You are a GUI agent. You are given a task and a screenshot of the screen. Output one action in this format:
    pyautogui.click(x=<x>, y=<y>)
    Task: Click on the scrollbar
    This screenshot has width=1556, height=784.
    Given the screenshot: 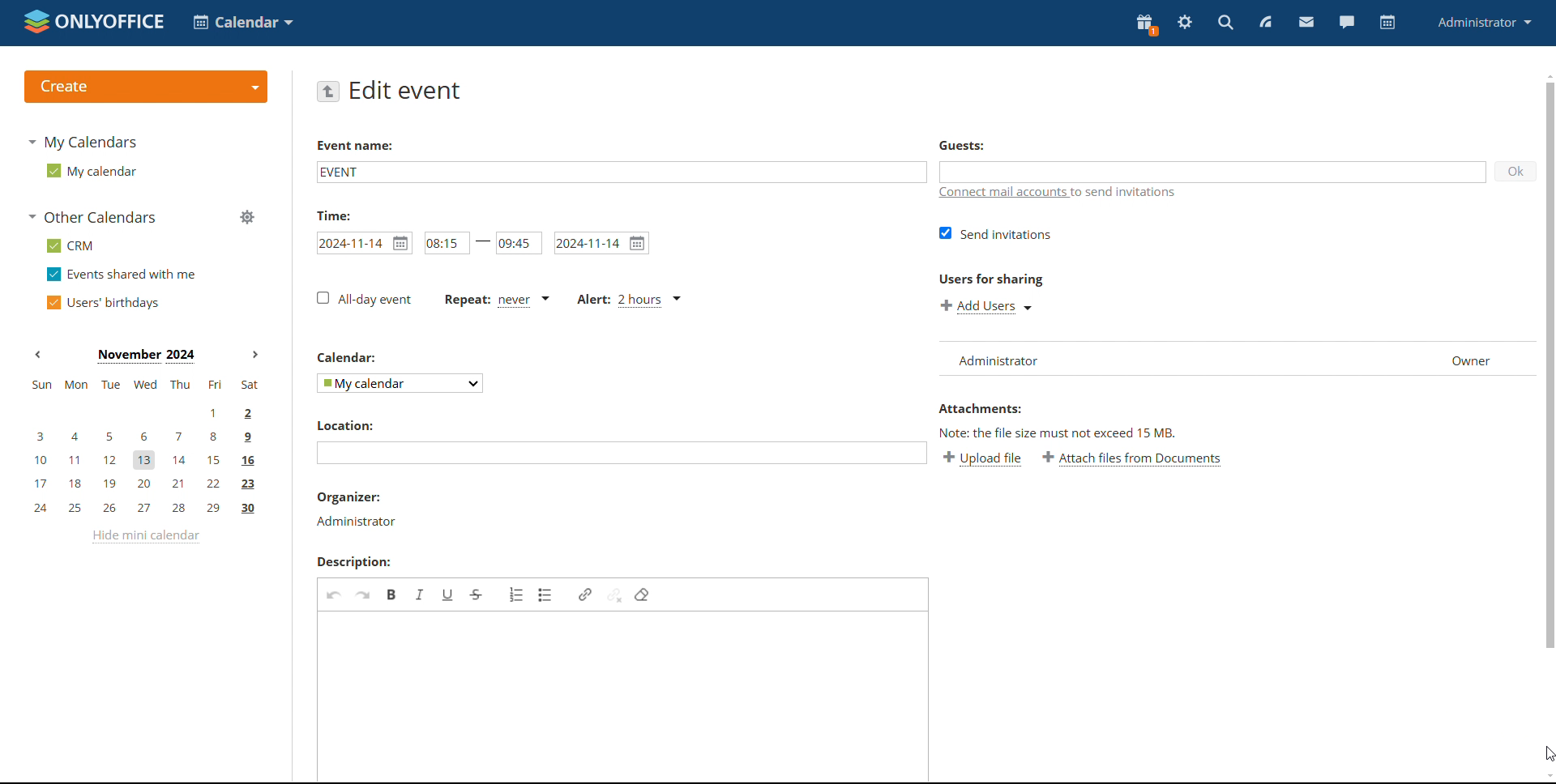 What is the action you would take?
    pyautogui.click(x=1549, y=364)
    